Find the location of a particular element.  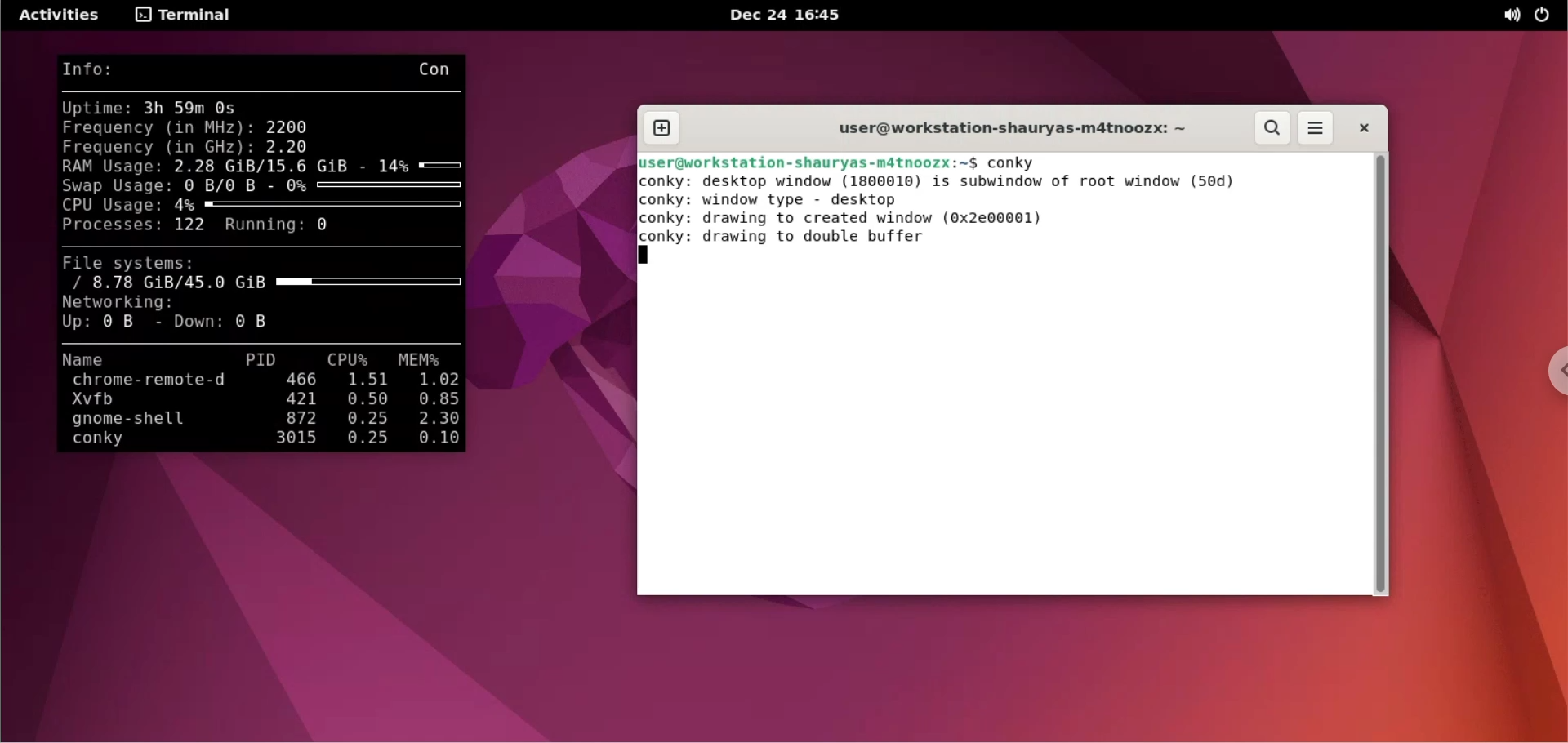

user@workstation-shauyas-m4tnoozx: ~$ is located at coordinates (811, 161).